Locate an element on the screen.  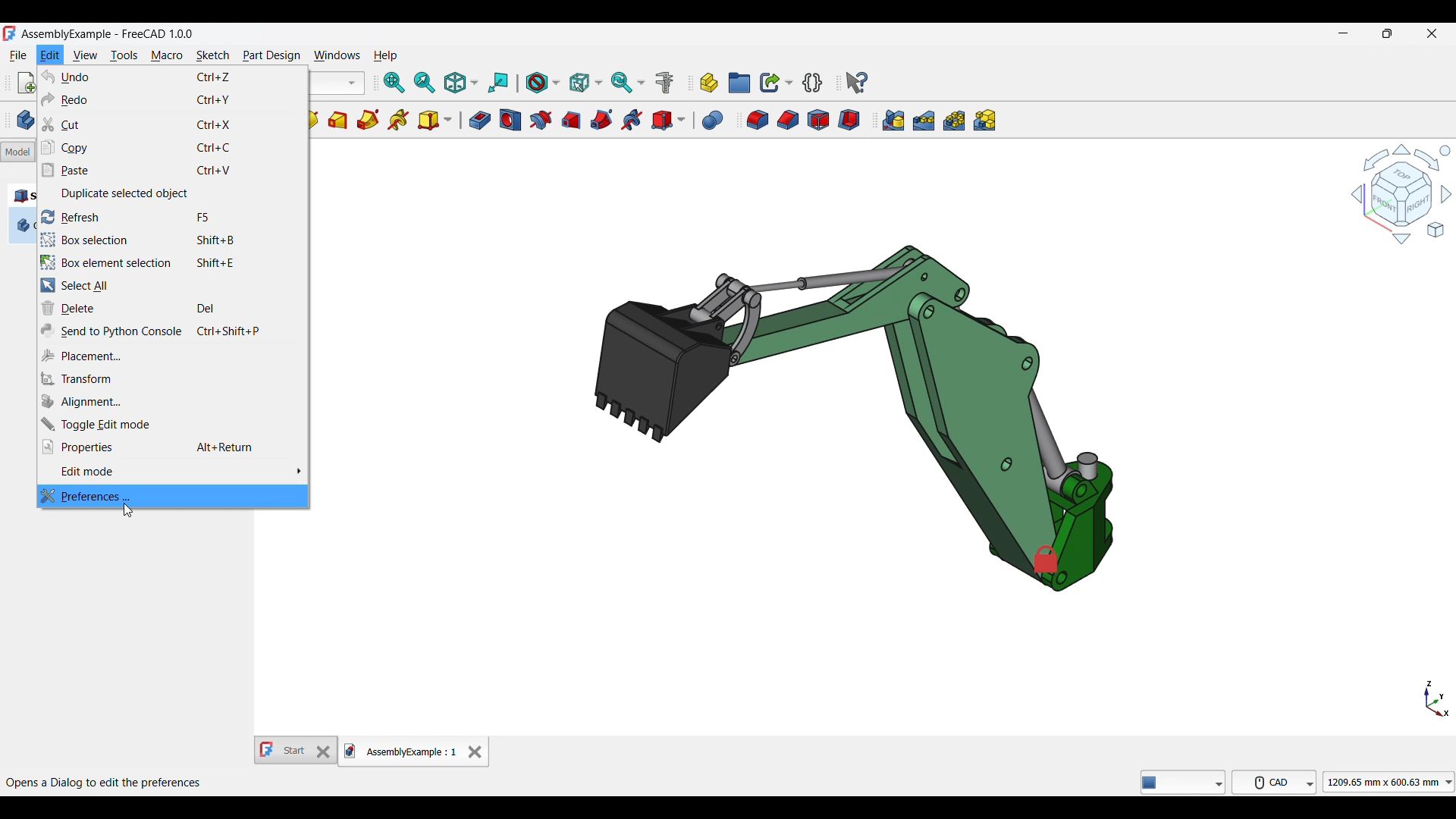
Undo is located at coordinates (173, 77).